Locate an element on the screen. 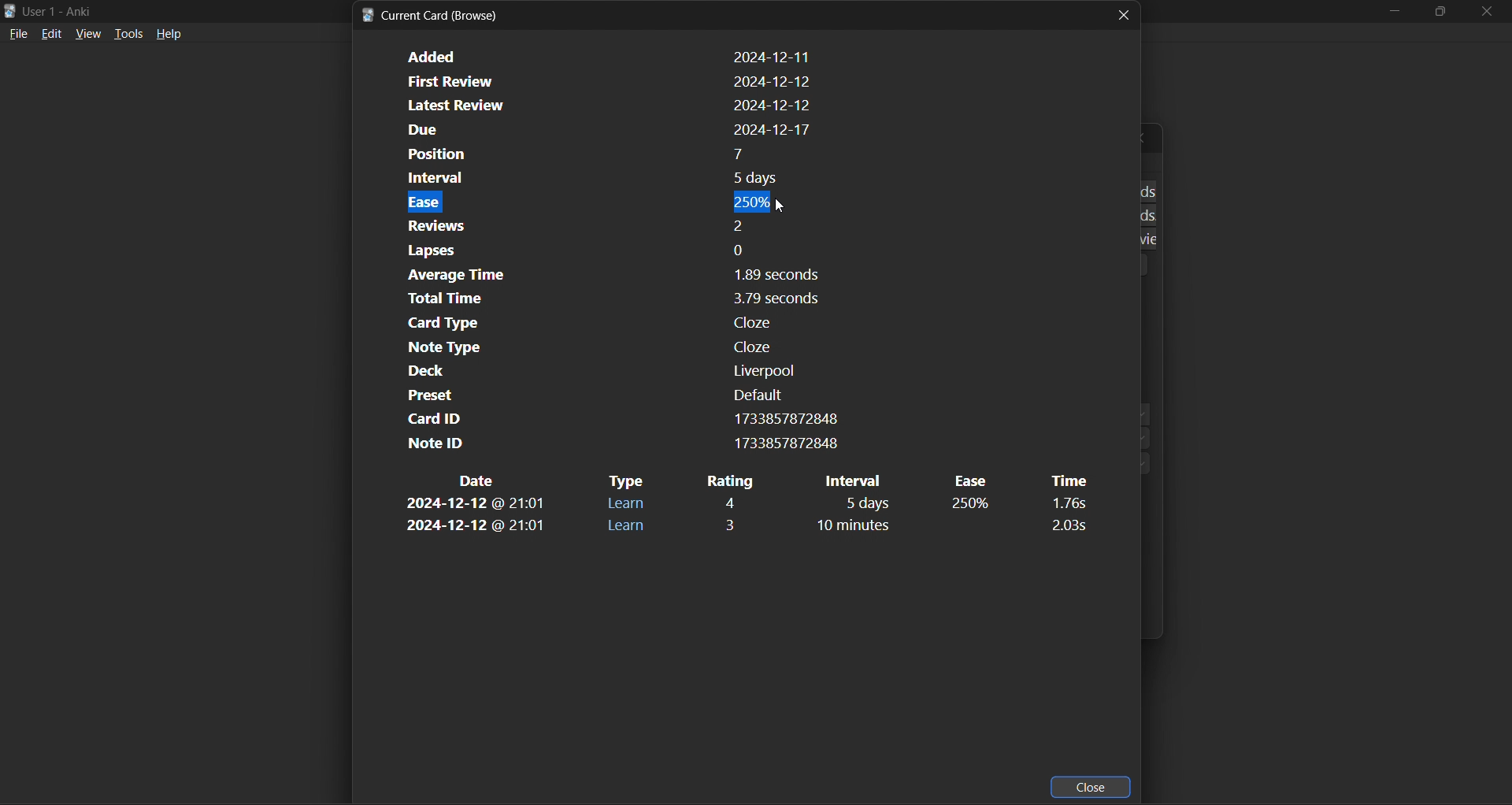  card added date is located at coordinates (606, 56).